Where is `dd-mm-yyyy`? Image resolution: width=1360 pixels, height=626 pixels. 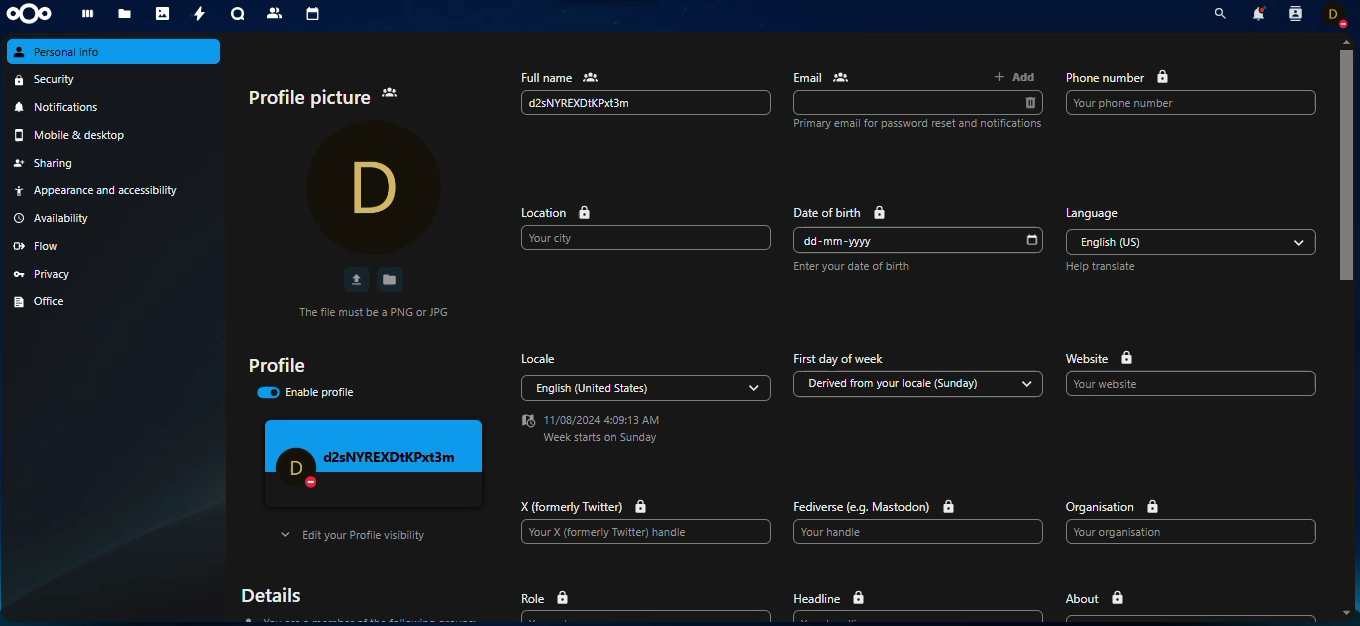
dd-mm-yyyy is located at coordinates (907, 240).